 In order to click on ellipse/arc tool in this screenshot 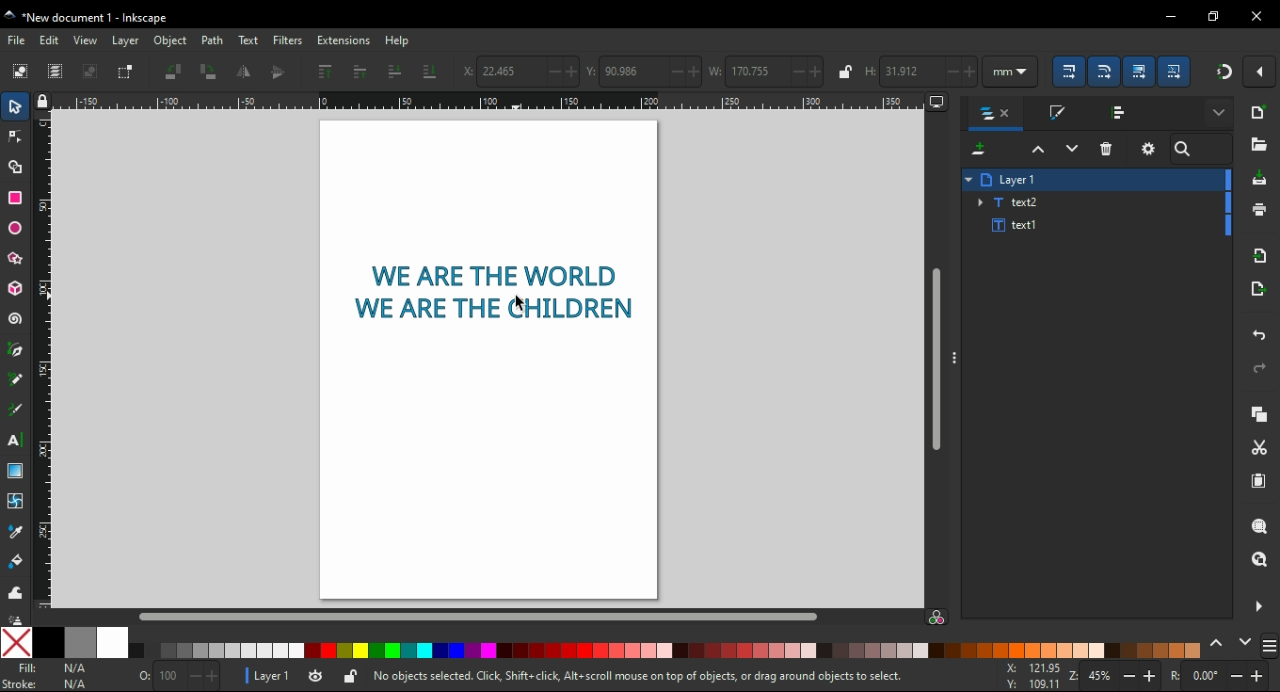, I will do `click(17, 228)`.